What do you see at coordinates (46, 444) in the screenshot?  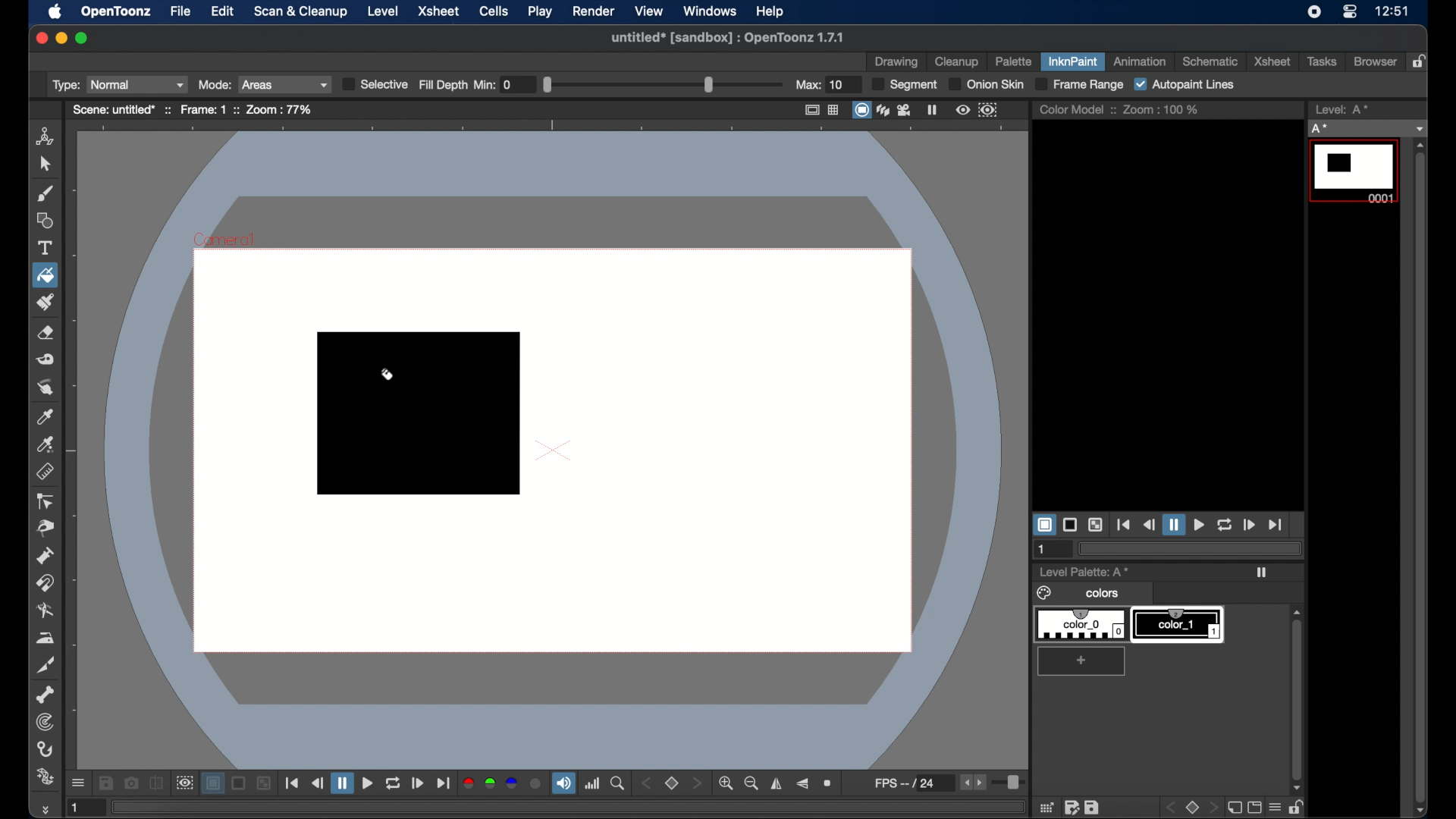 I see `picker tool` at bounding box center [46, 444].